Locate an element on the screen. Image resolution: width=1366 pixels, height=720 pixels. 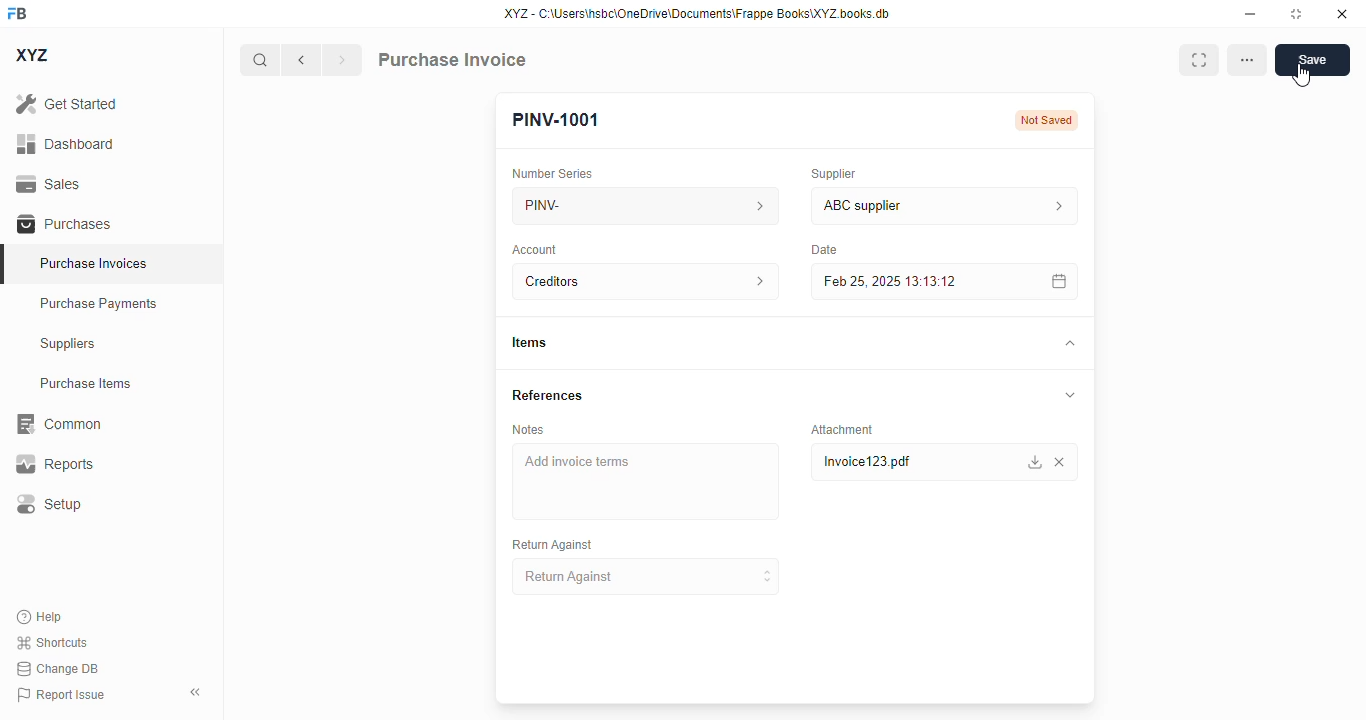
sales is located at coordinates (52, 184).